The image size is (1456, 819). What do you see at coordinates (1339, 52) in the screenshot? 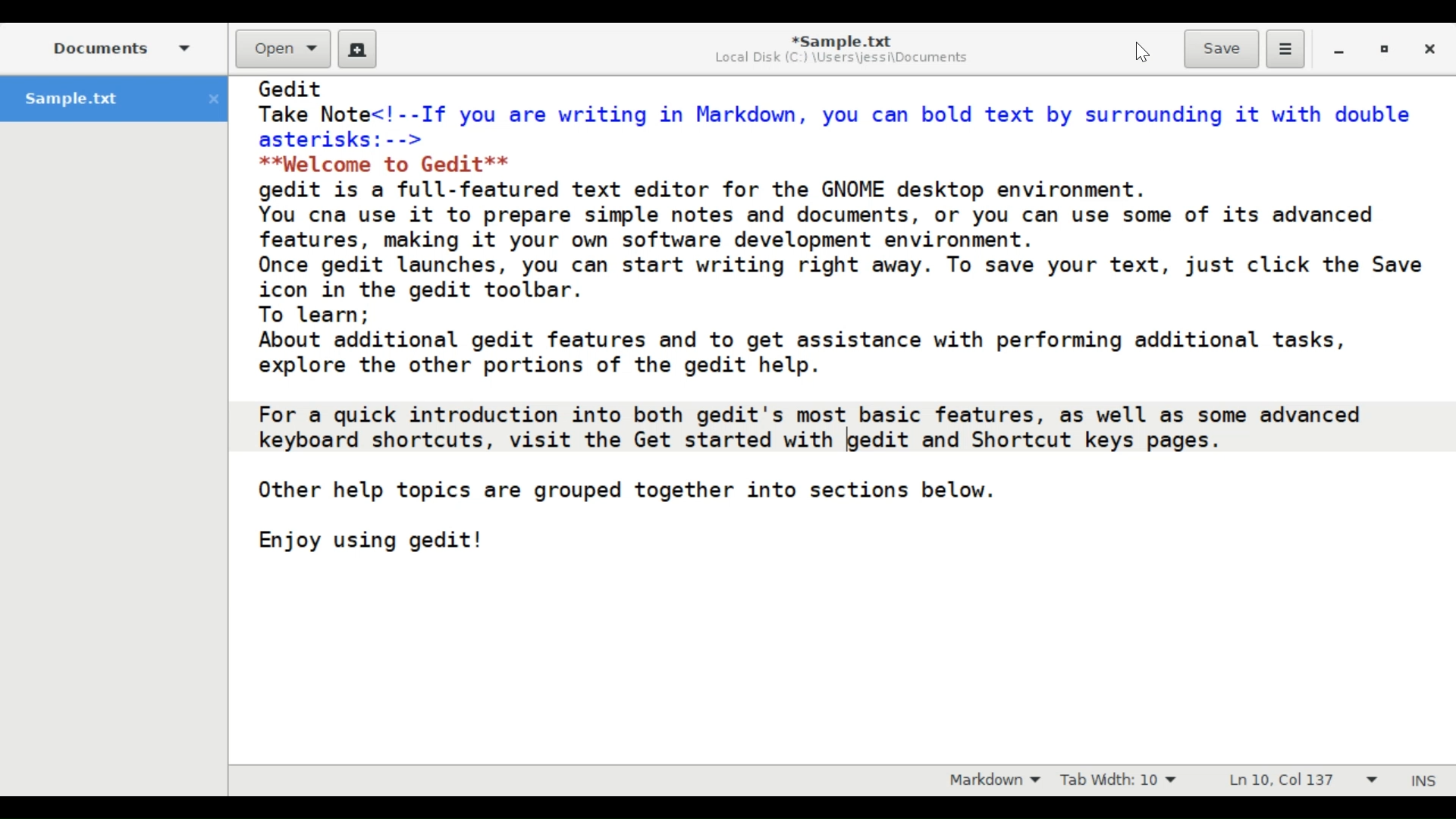
I see `minimize` at bounding box center [1339, 52].